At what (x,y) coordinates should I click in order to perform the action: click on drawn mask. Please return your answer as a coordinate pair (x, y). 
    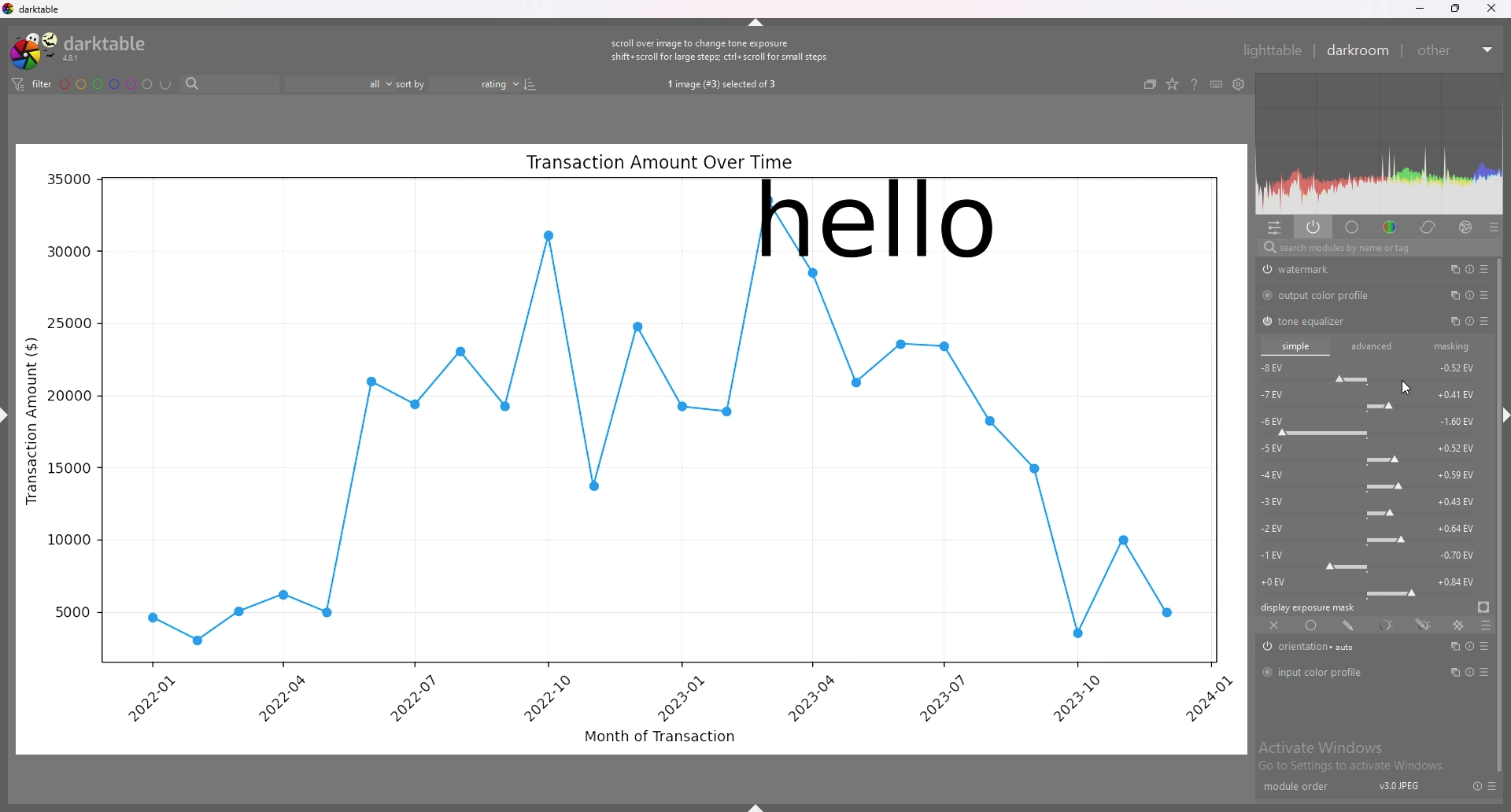
    Looking at the image, I should click on (1350, 626).